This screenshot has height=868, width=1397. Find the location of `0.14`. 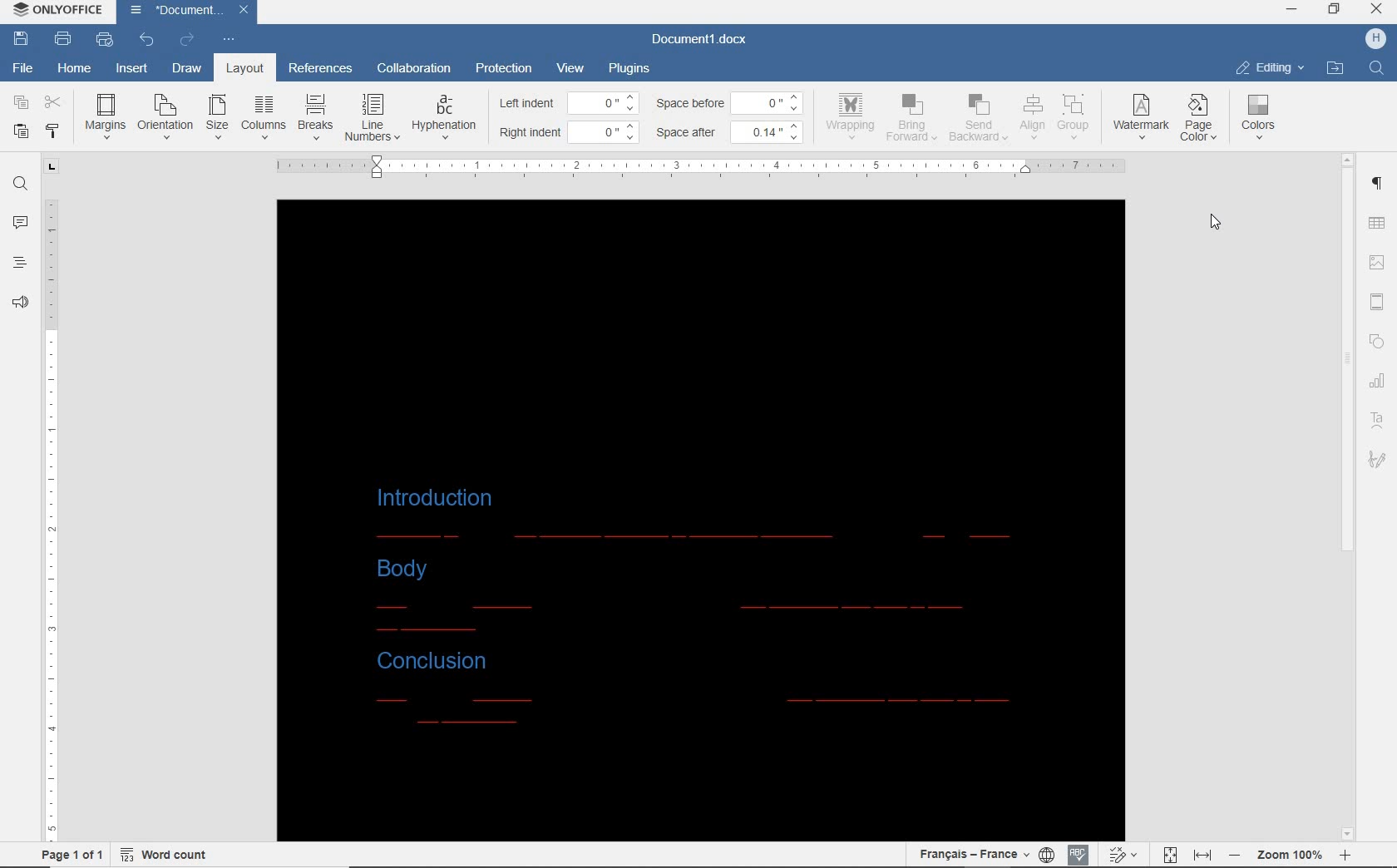

0.14 is located at coordinates (773, 131).